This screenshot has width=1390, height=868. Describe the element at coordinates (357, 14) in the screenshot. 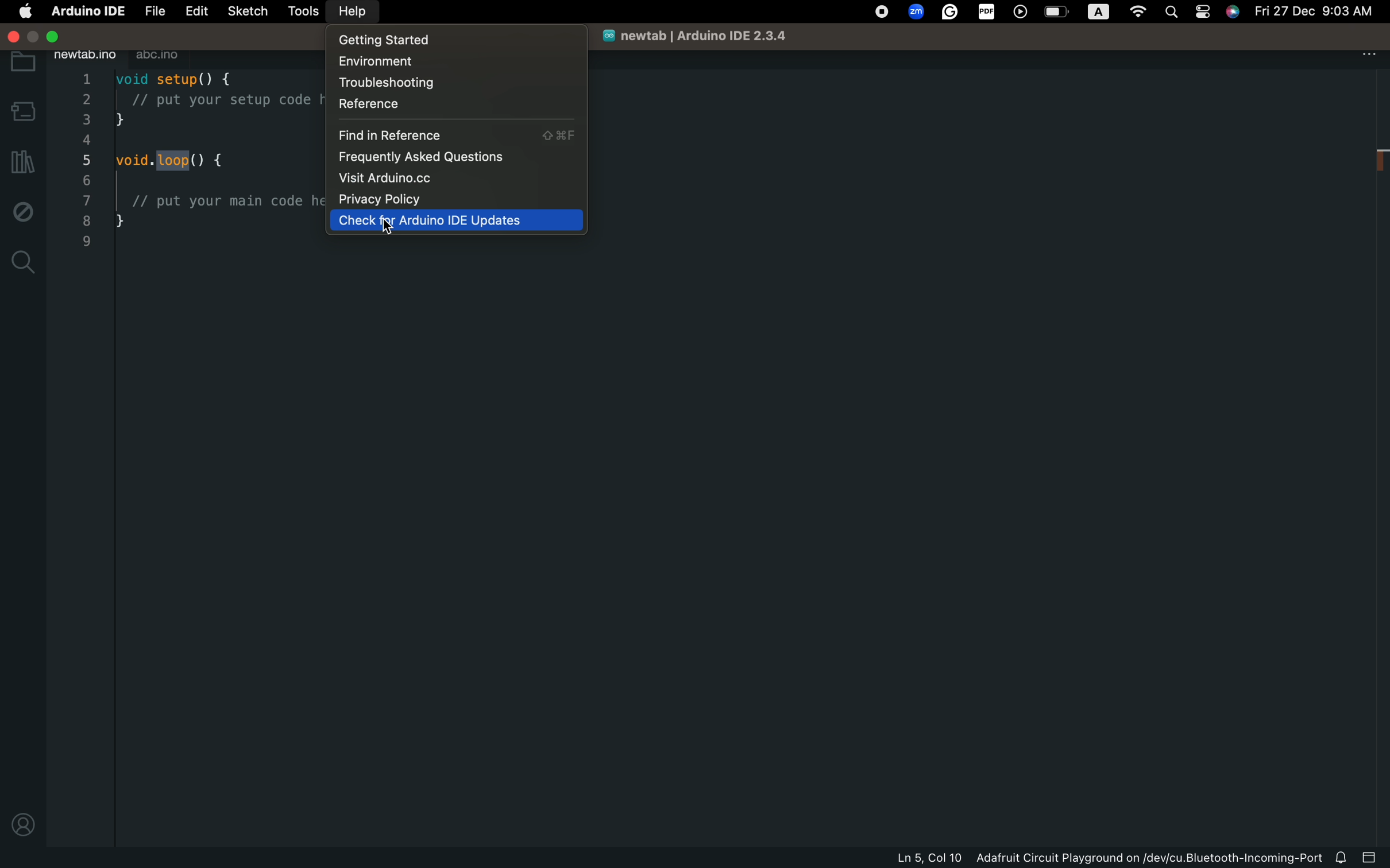

I see `help` at that location.